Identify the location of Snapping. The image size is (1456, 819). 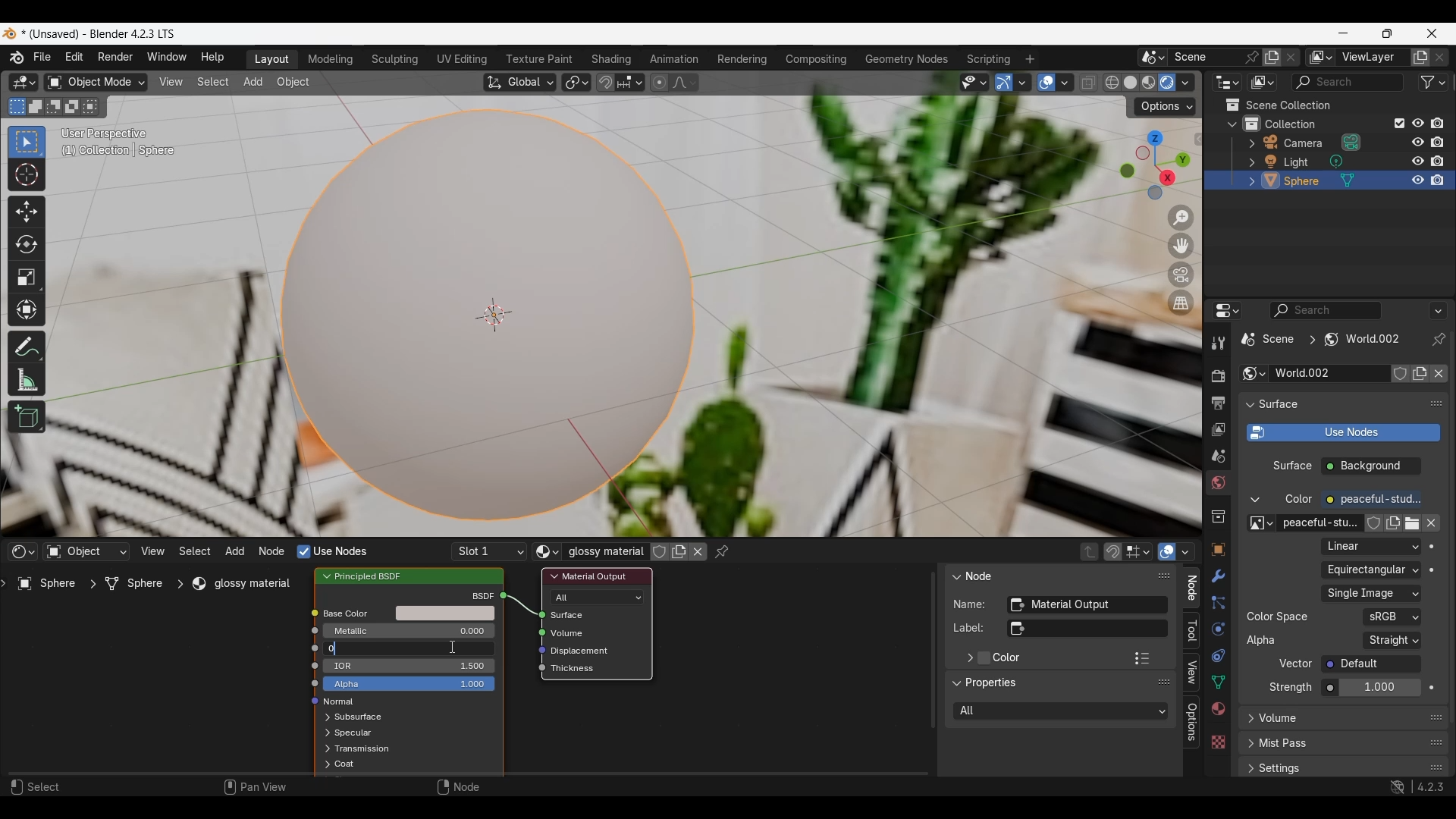
(629, 82).